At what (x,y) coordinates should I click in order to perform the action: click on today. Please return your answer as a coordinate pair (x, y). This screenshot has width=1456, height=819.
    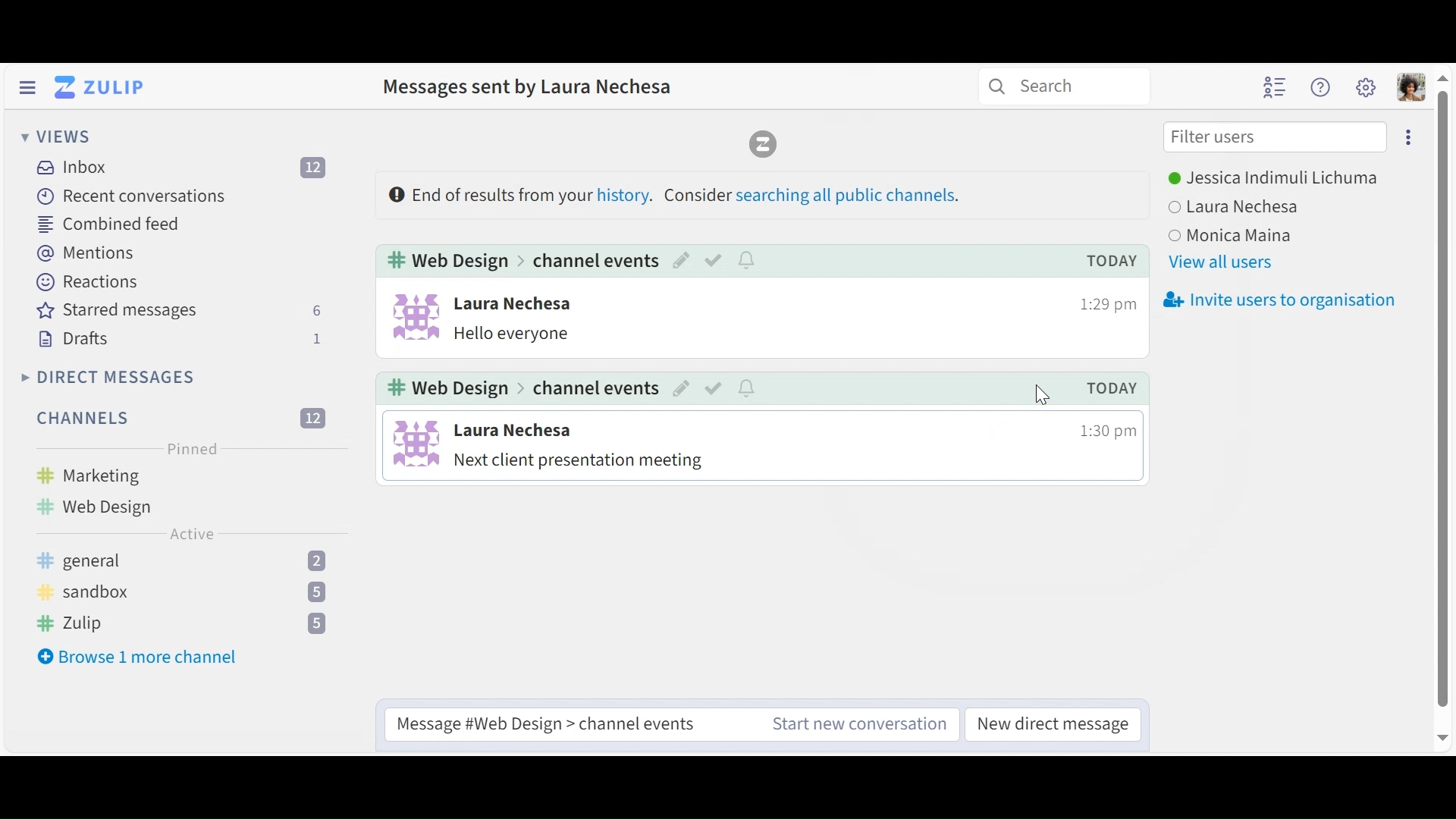
    Looking at the image, I should click on (1112, 388).